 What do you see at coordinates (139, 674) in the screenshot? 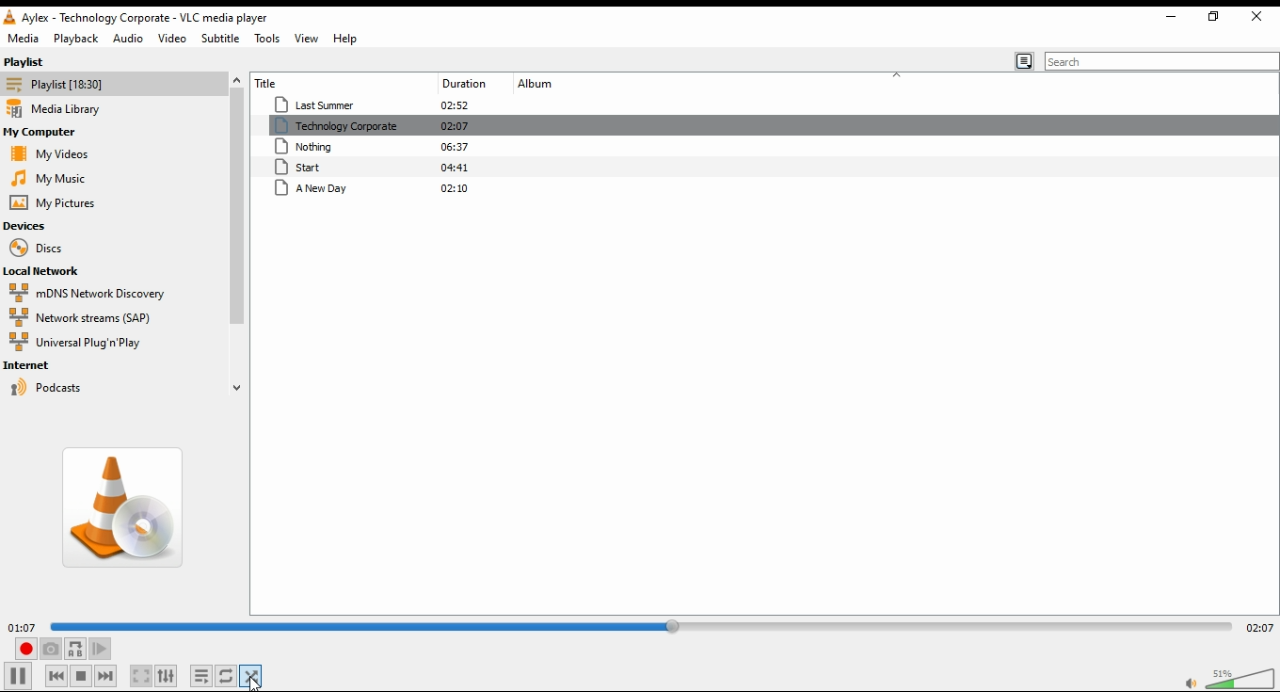
I see `toggle video in fullscreen` at bounding box center [139, 674].